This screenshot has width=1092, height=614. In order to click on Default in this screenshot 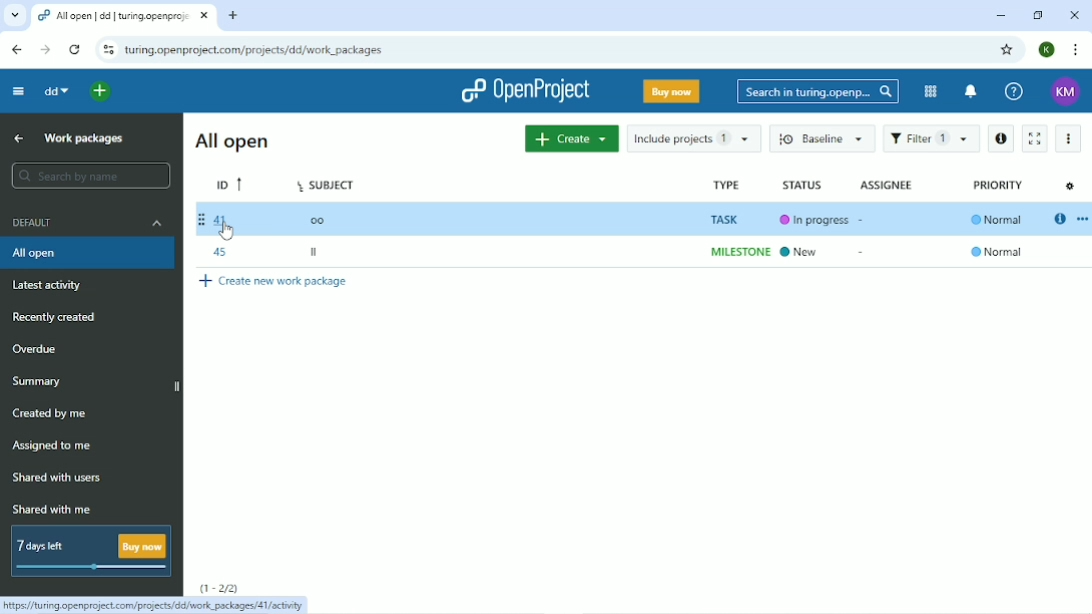, I will do `click(89, 222)`.